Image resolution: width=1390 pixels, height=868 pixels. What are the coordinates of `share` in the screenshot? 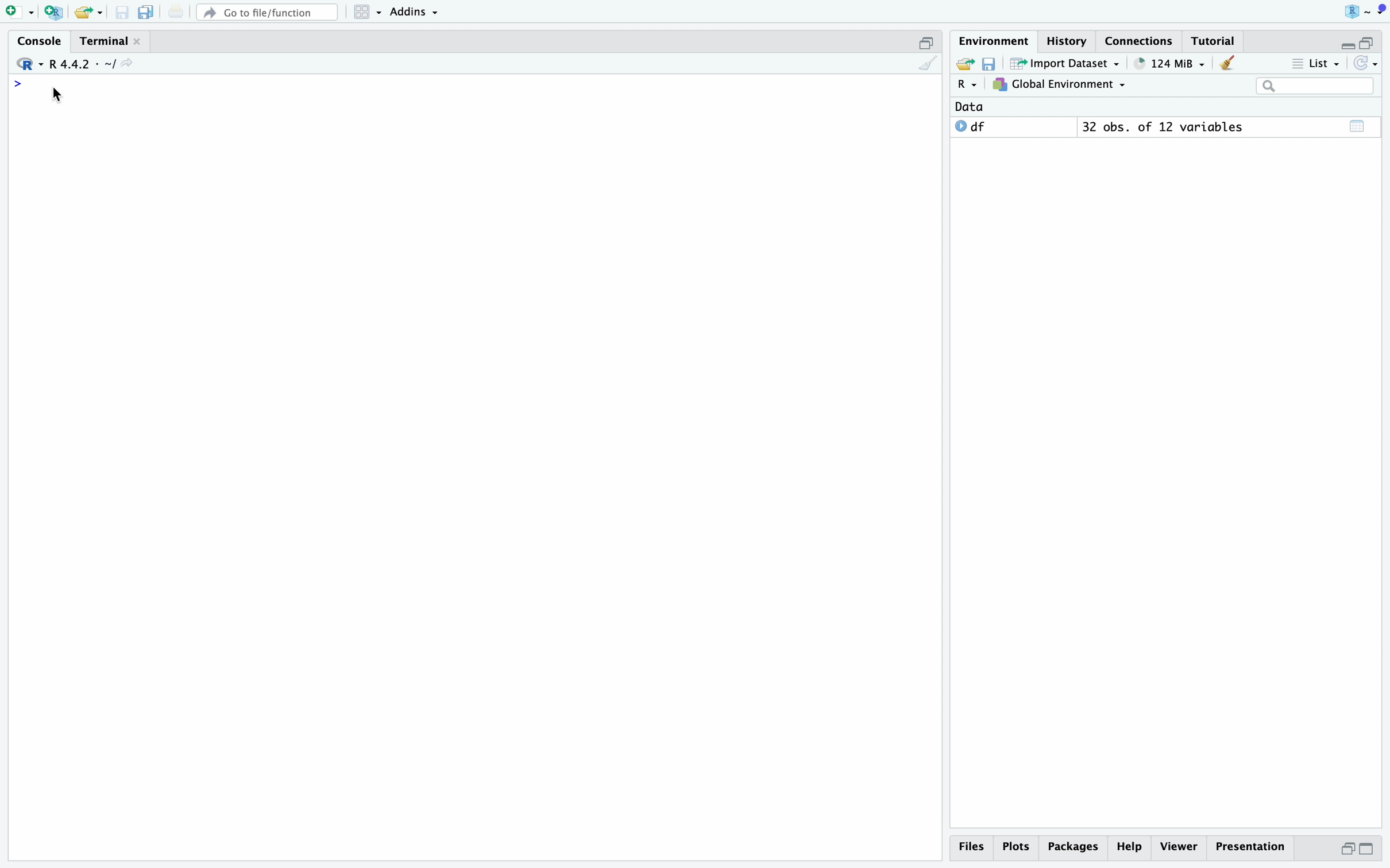 It's located at (964, 62).